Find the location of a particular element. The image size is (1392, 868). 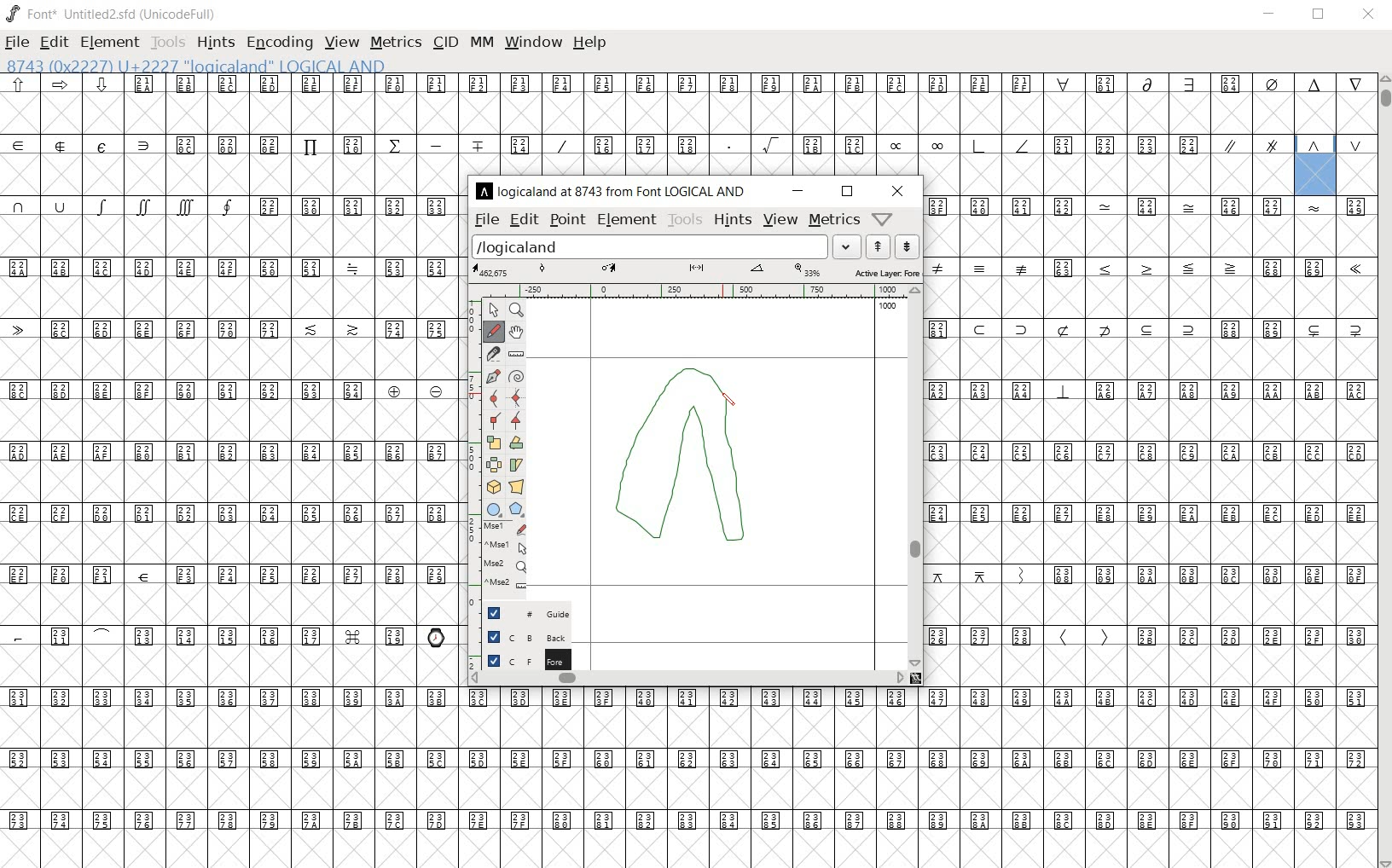

measure a distance, angle between points is located at coordinates (516, 354).